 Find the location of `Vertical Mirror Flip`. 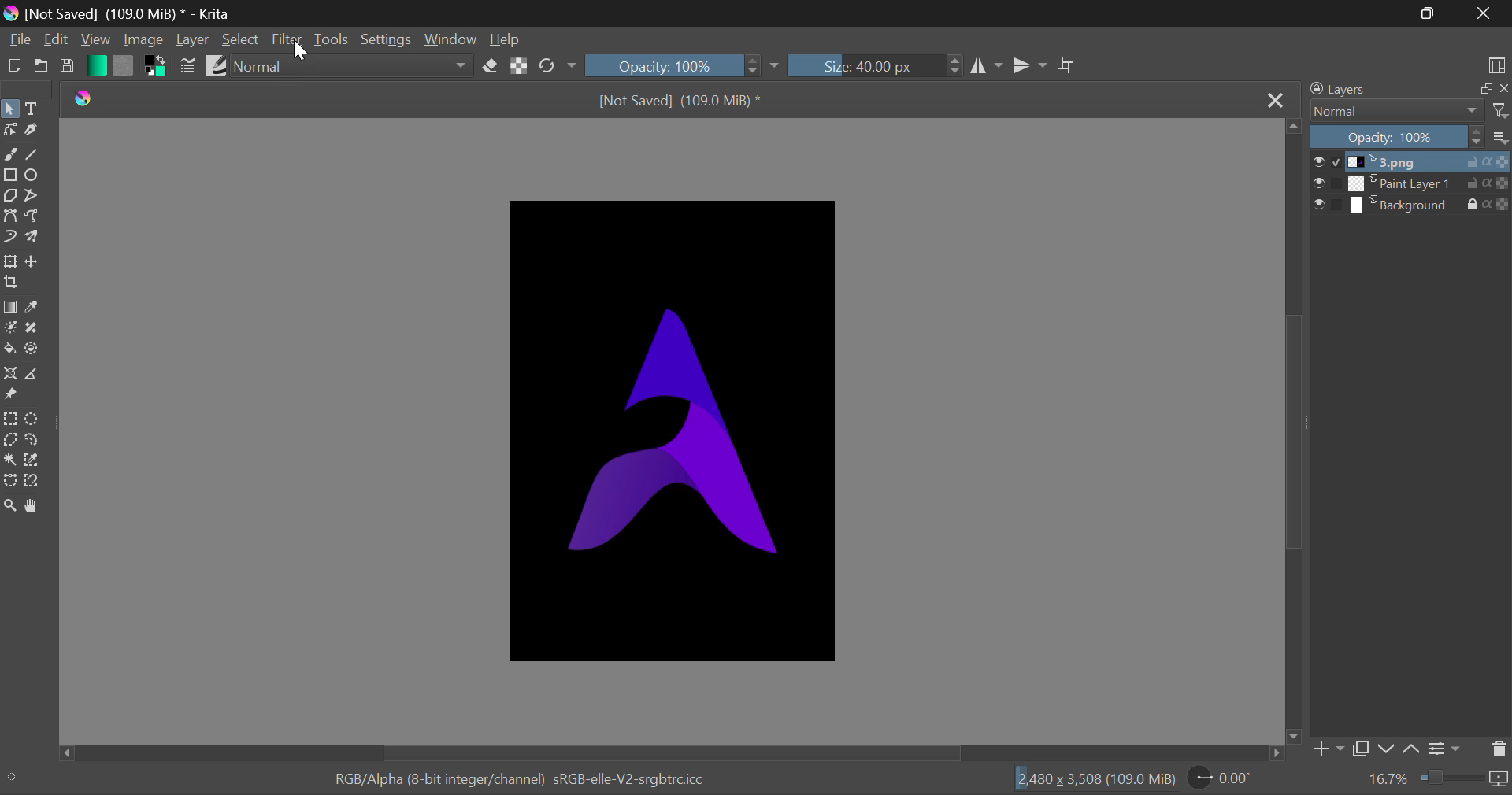

Vertical Mirror Flip is located at coordinates (988, 68).